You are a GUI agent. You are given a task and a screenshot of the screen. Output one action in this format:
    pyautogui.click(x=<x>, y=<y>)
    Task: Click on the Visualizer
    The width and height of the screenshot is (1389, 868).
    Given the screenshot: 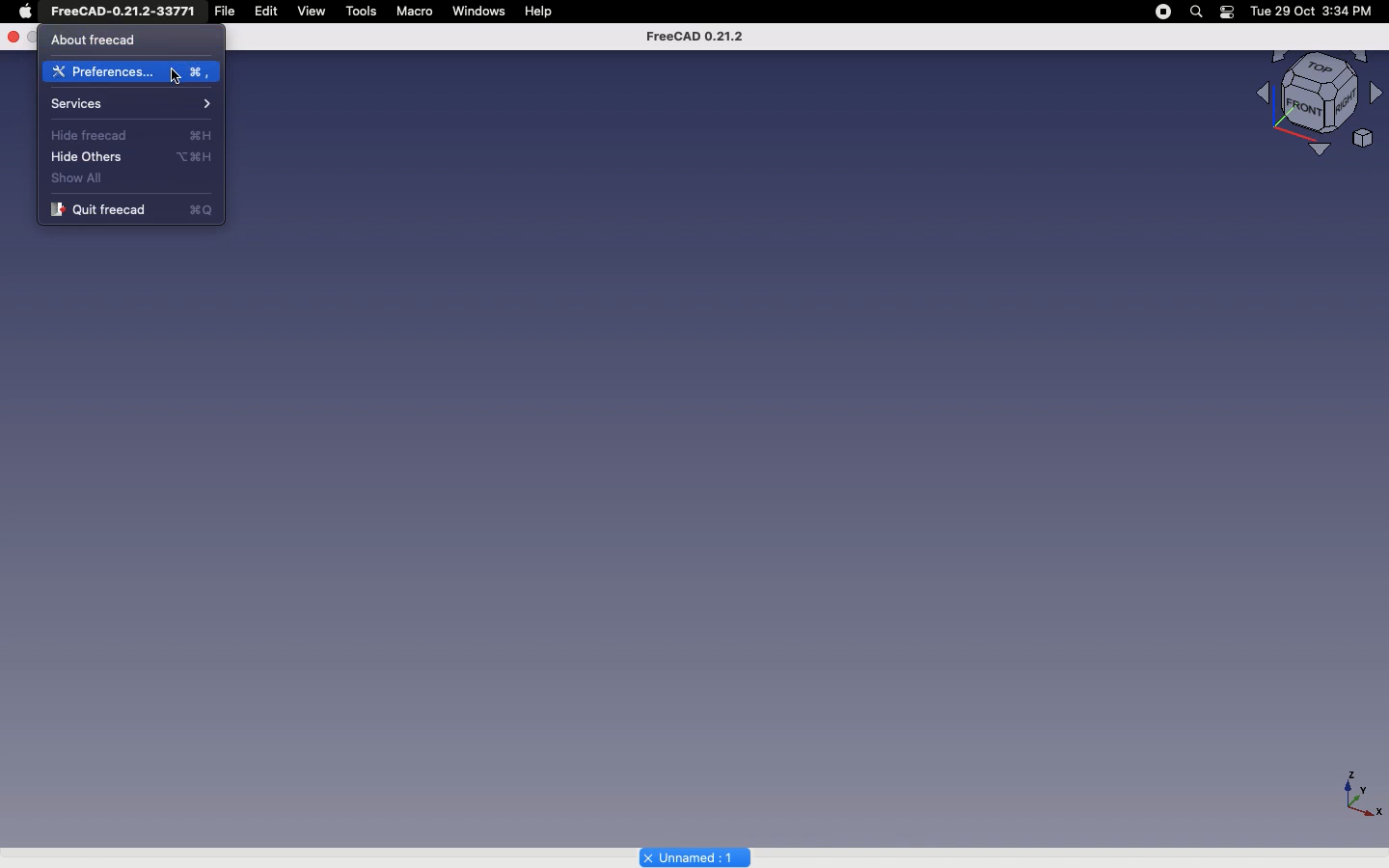 What is the action you would take?
    pyautogui.click(x=1312, y=105)
    